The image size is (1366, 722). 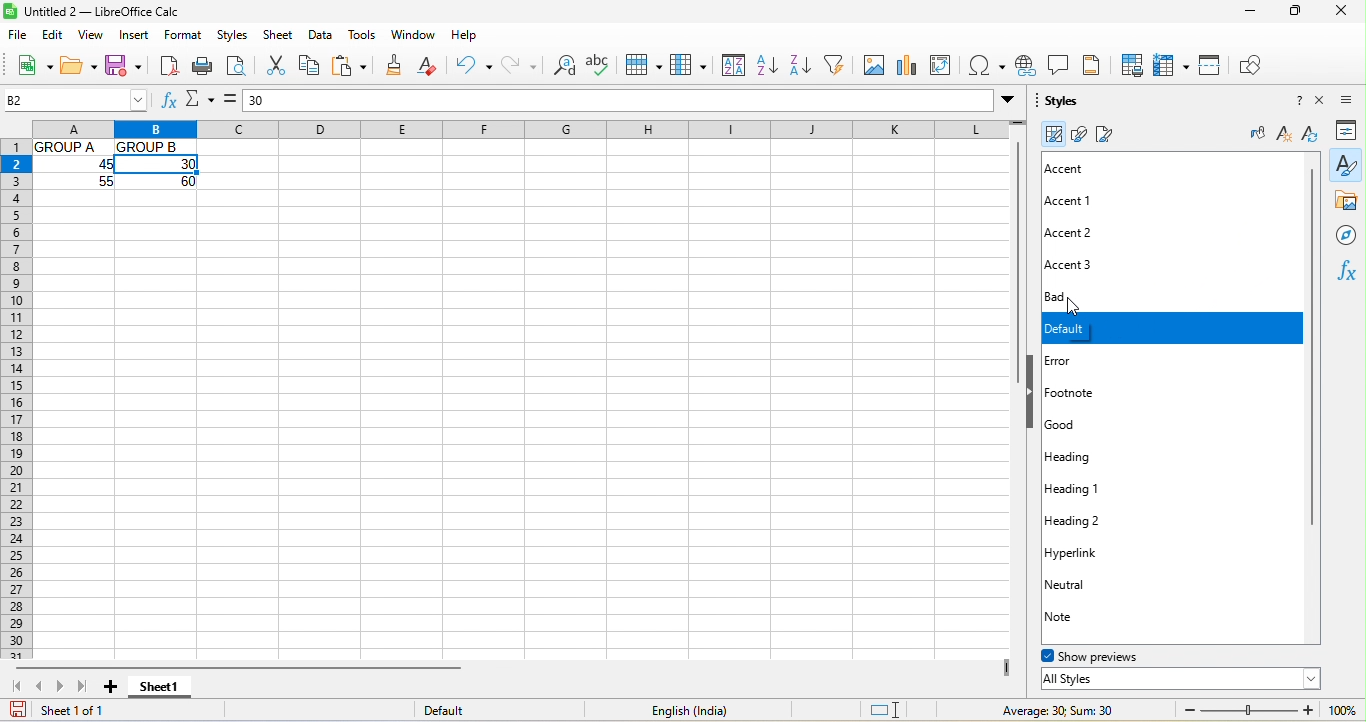 What do you see at coordinates (65, 690) in the screenshot?
I see `next sheet` at bounding box center [65, 690].